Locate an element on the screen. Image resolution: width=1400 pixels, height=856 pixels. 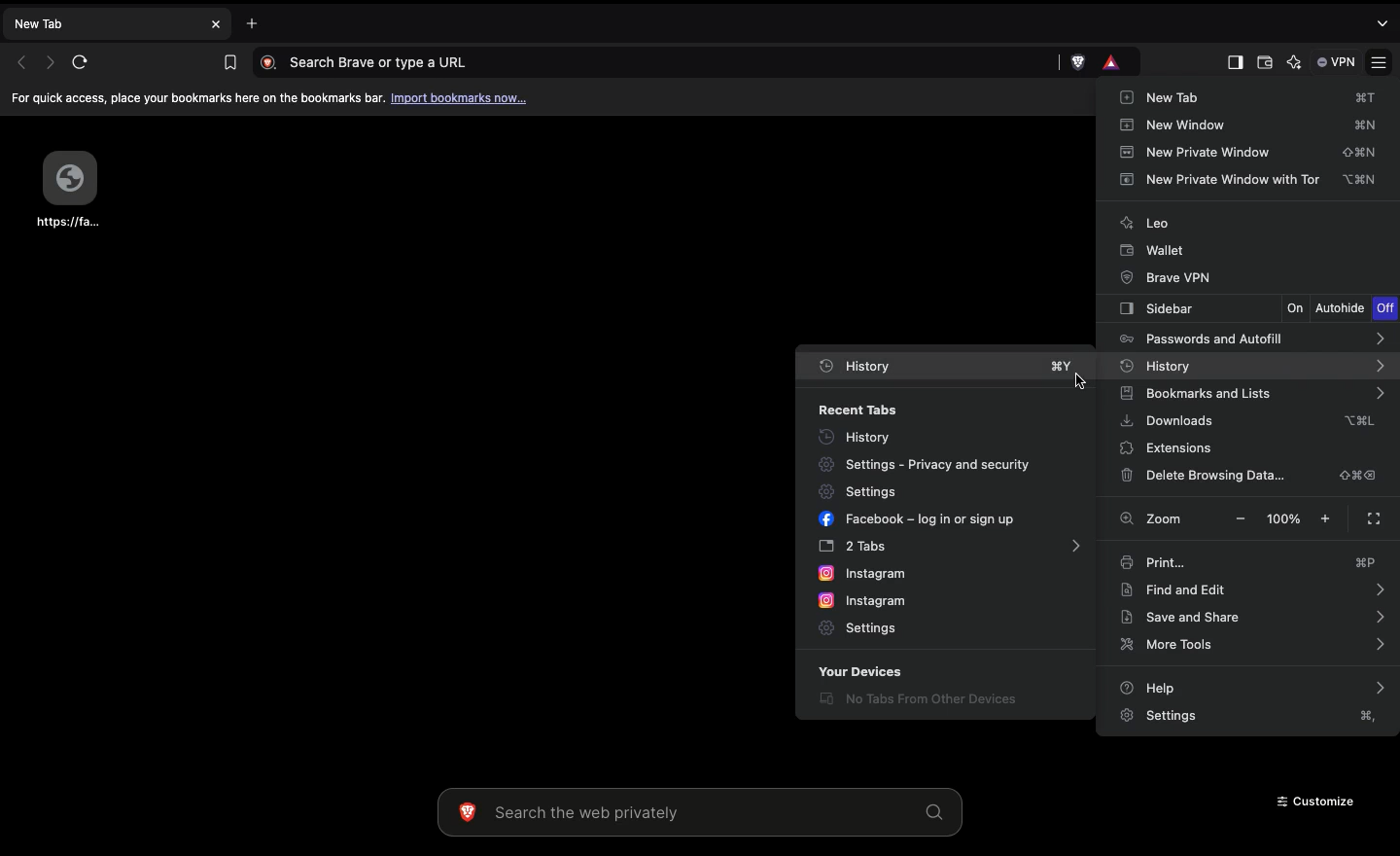
brave shield is located at coordinates (1080, 62).